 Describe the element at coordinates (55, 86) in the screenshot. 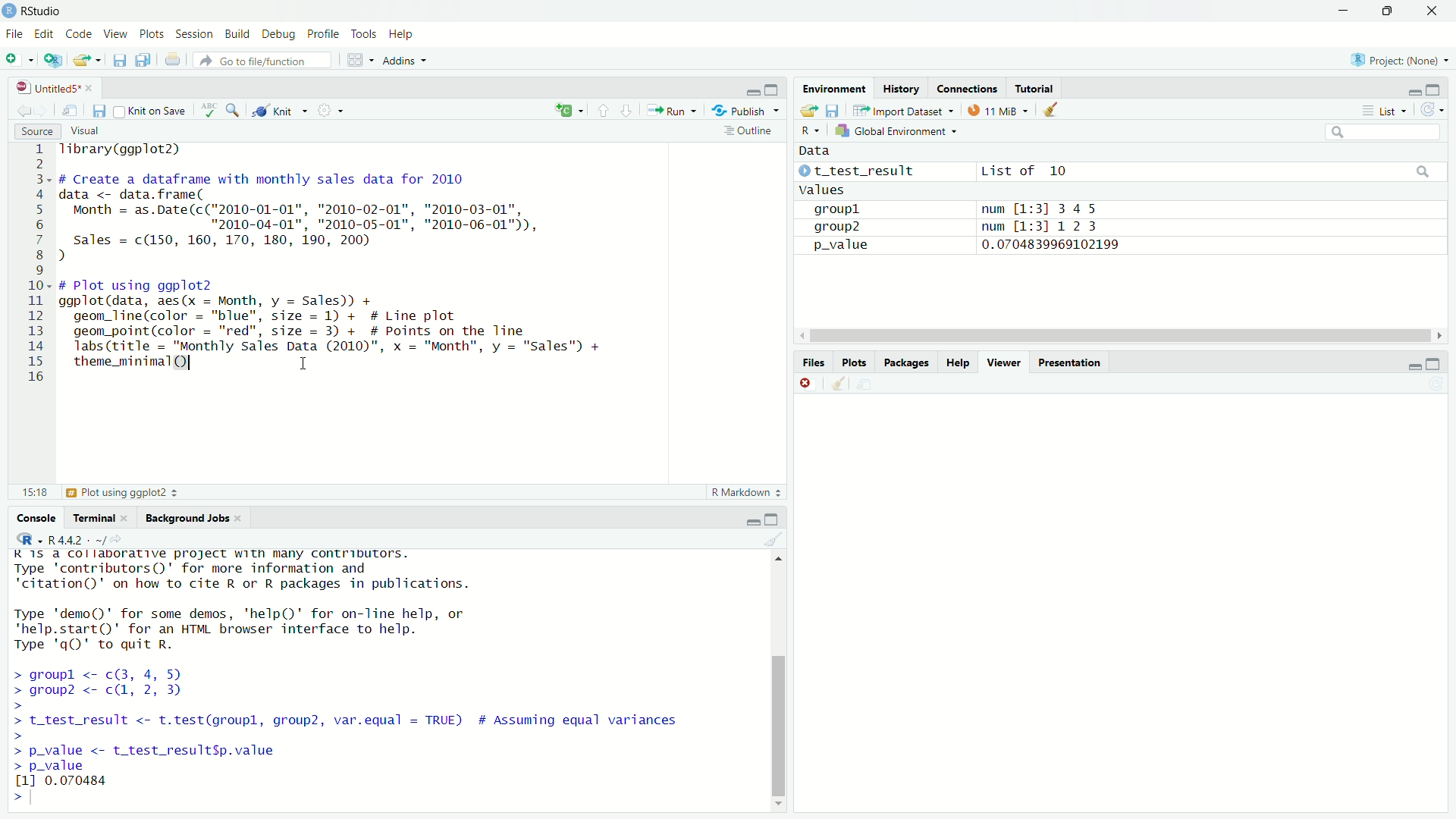

I see ` Untitleds` at that location.